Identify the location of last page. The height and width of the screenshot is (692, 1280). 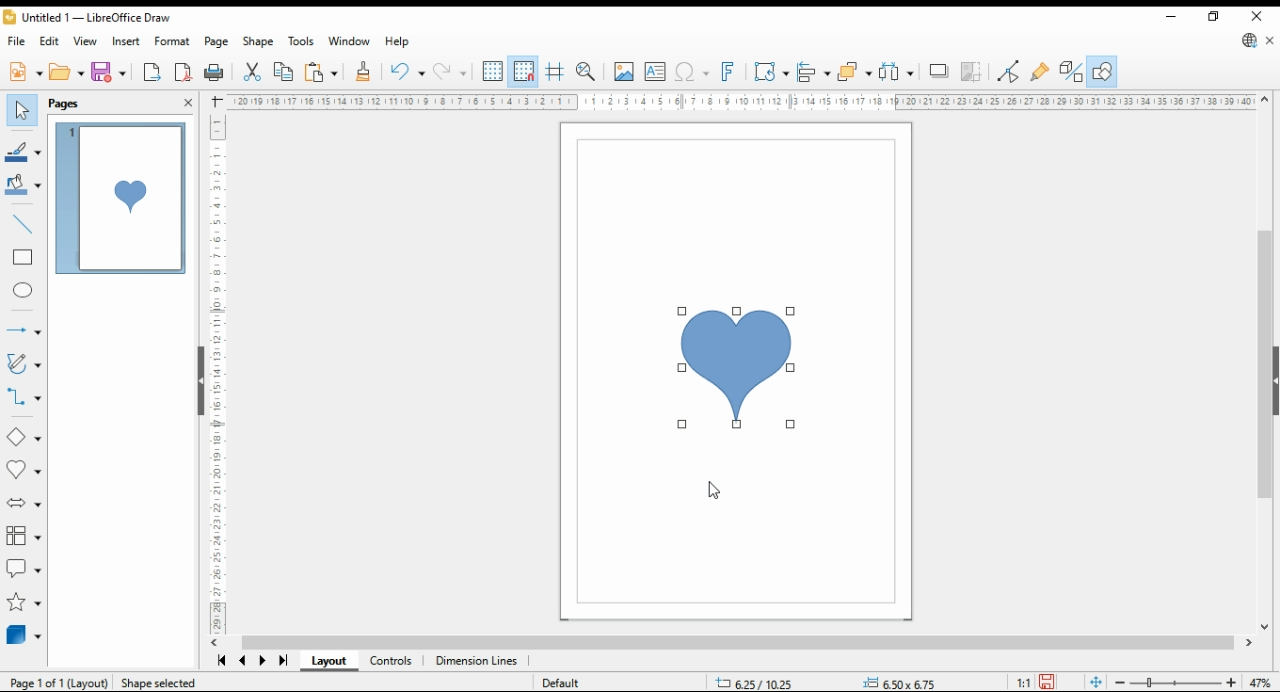
(282, 663).